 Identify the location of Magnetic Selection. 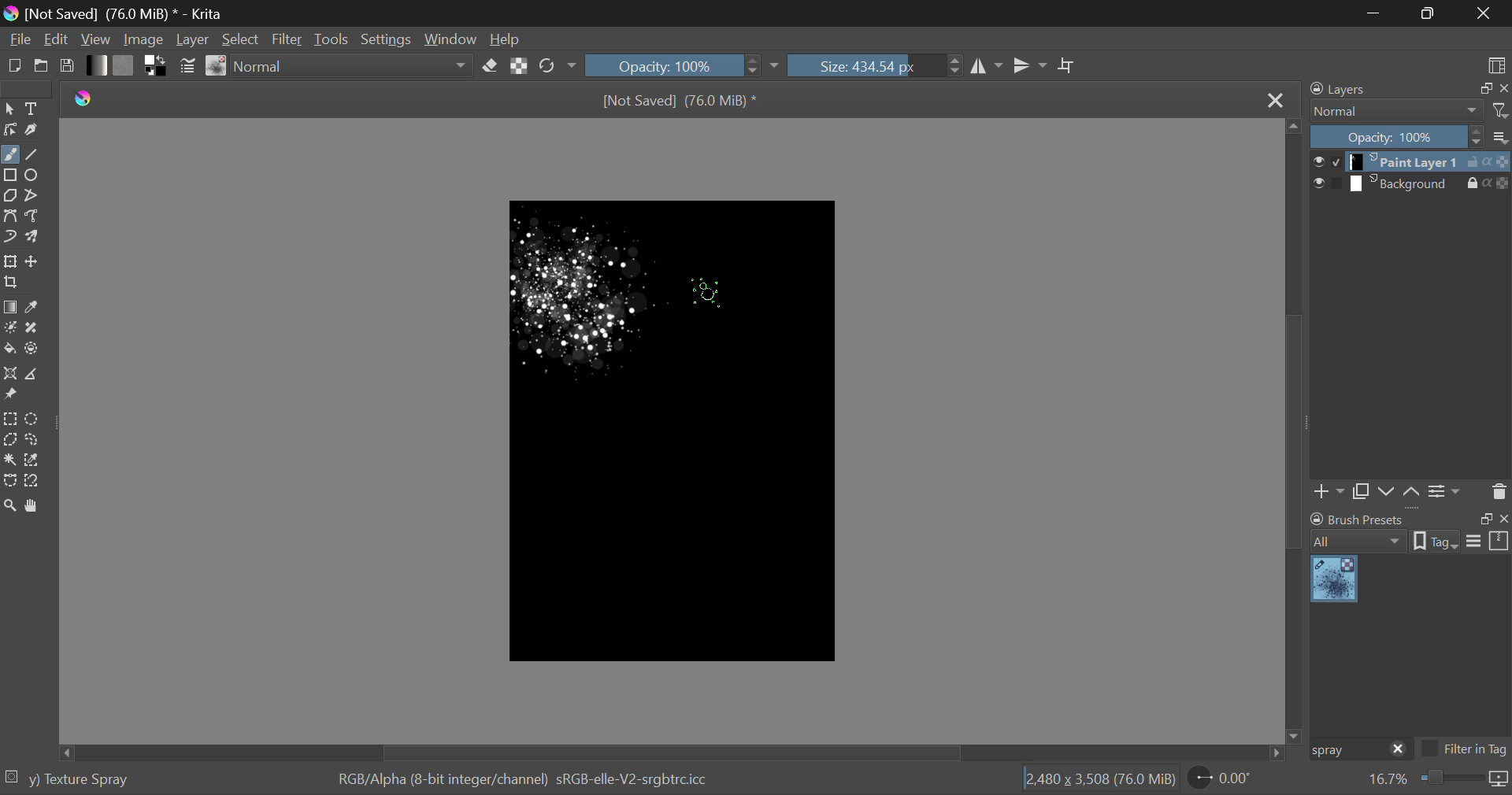
(37, 482).